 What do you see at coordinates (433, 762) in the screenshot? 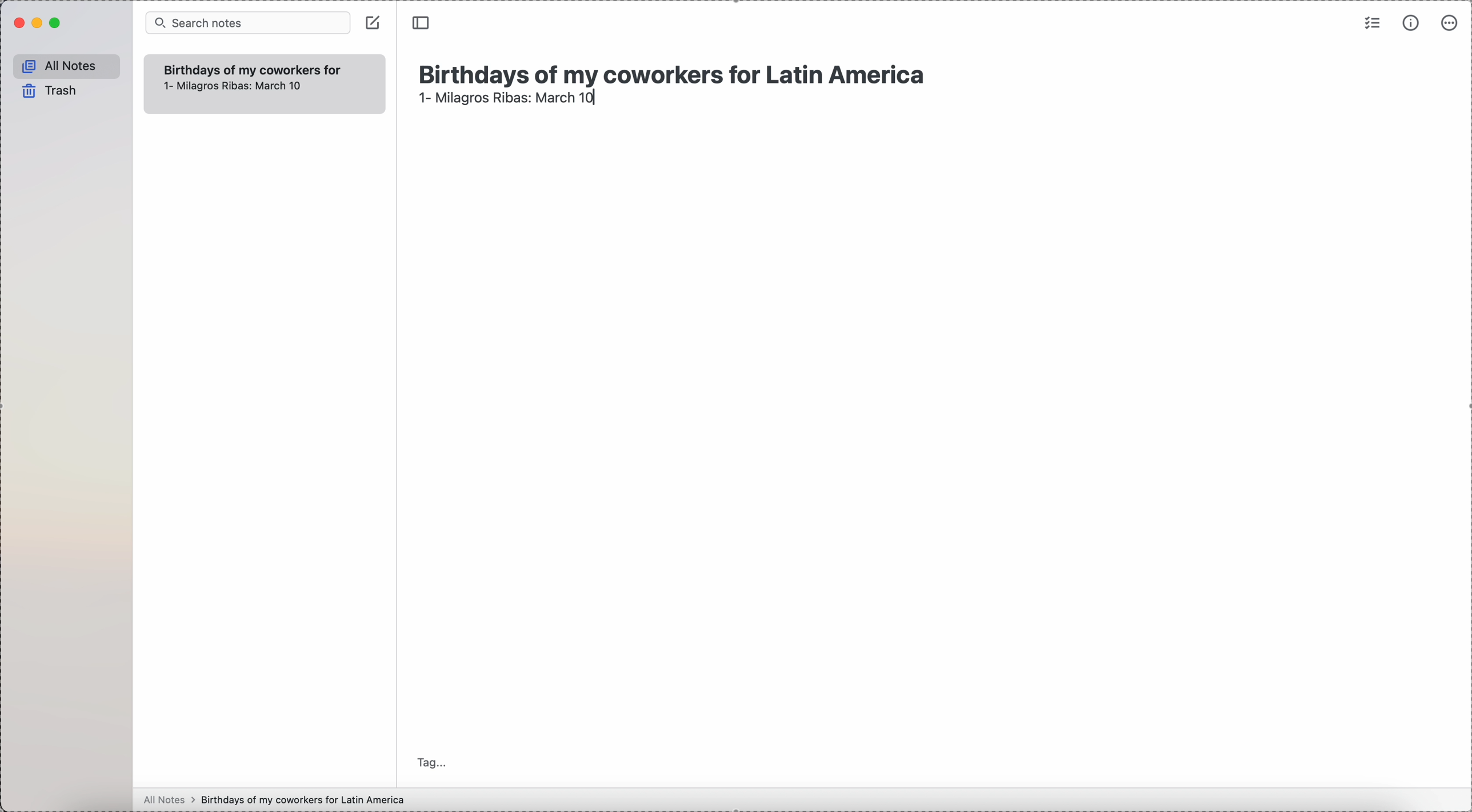
I see `tag` at bounding box center [433, 762].